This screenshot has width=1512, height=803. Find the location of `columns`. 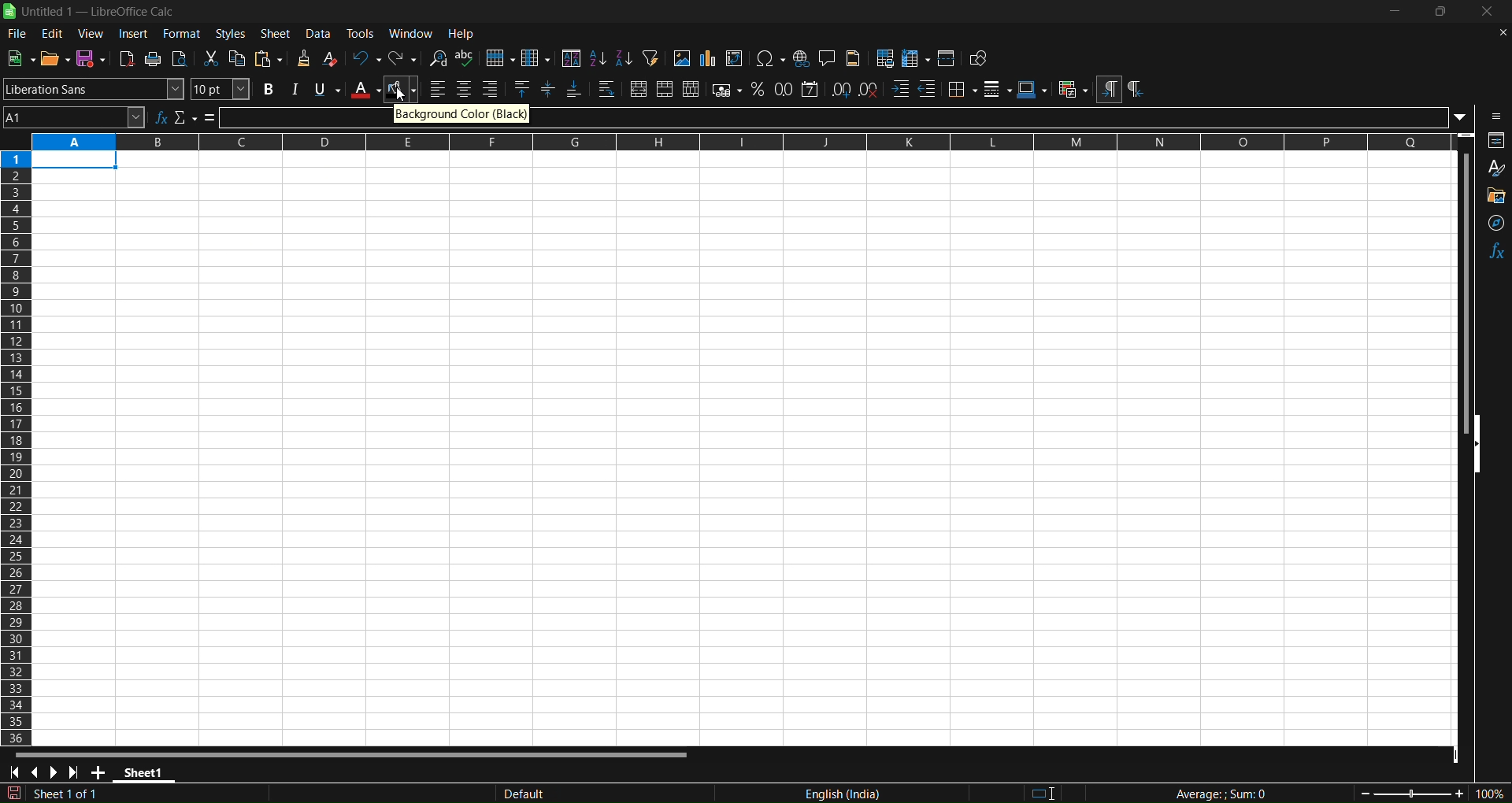

columns is located at coordinates (19, 455).